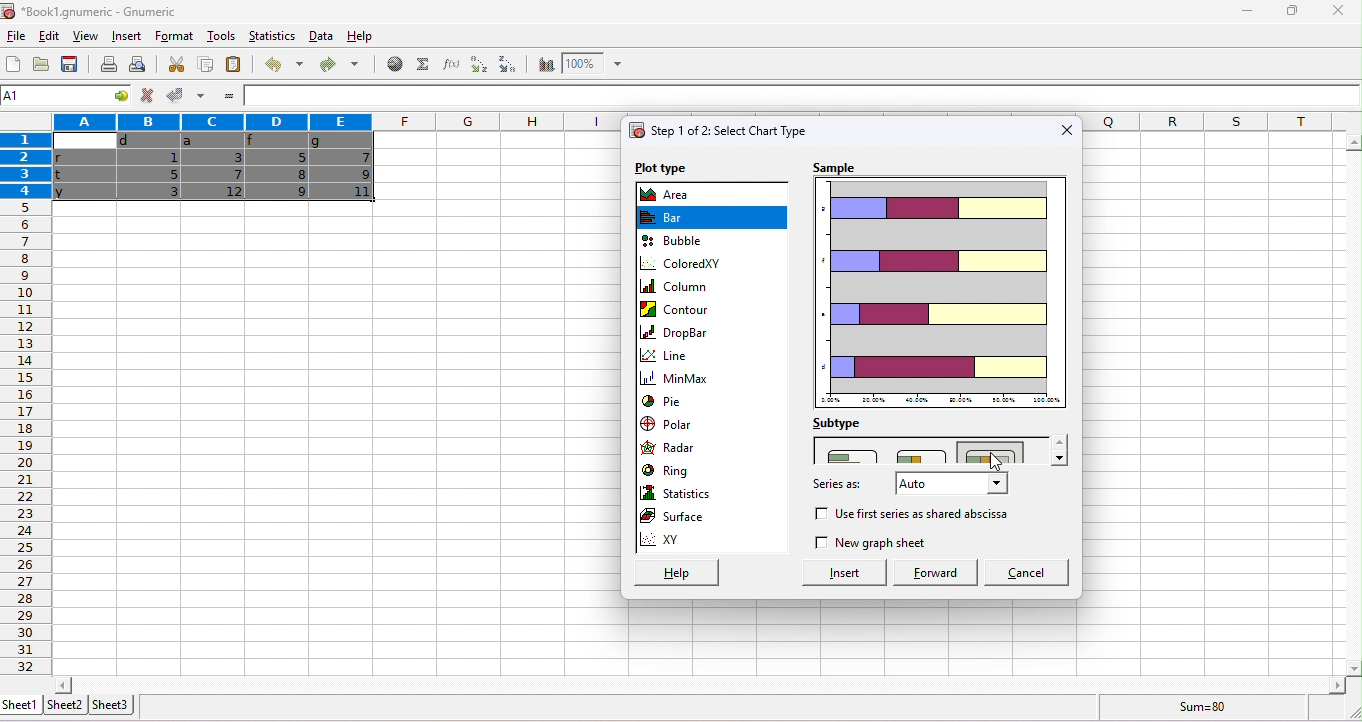 The width and height of the screenshot is (1362, 722). I want to click on close, so click(1339, 13).